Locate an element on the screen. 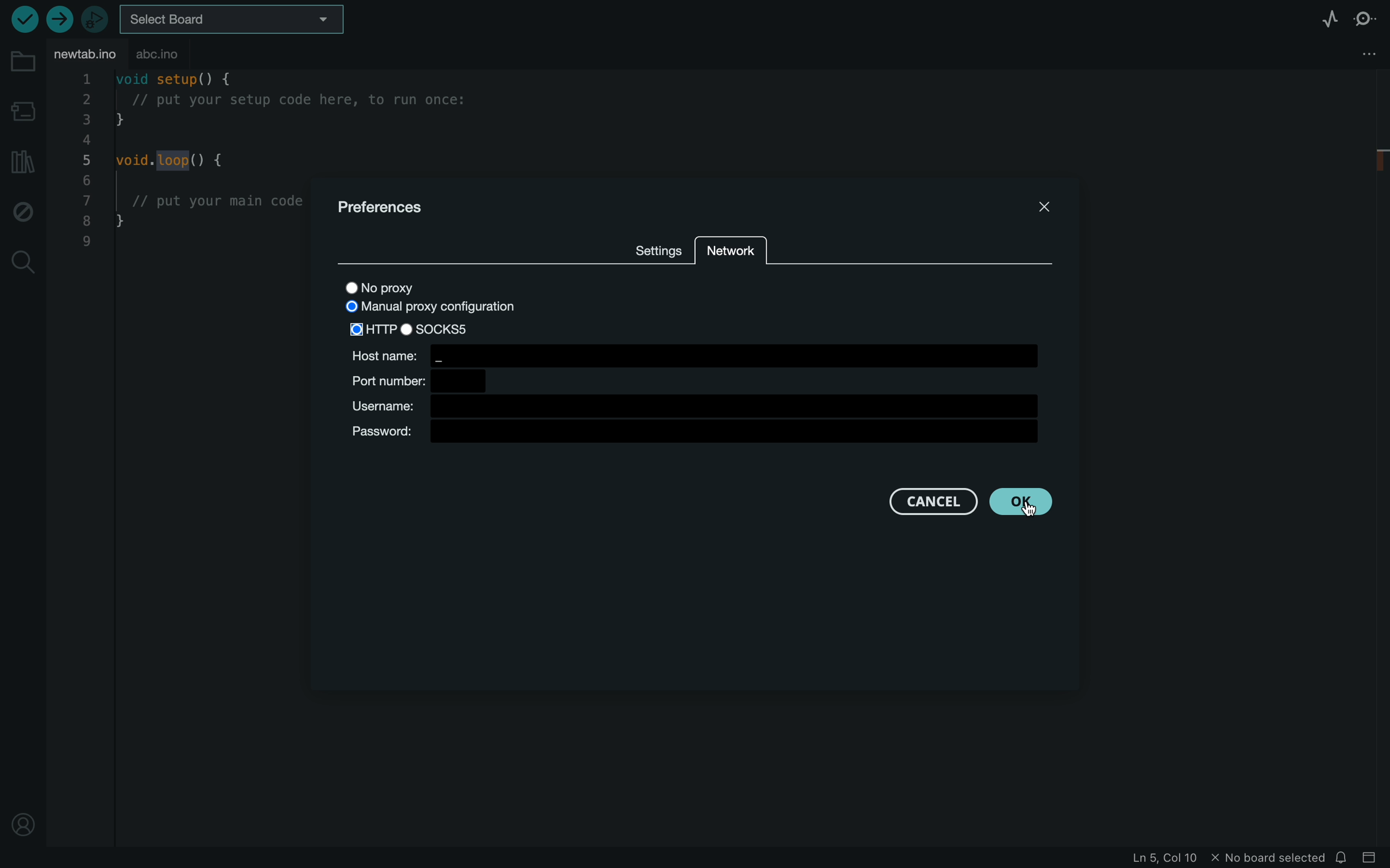 The height and width of the screenshot is (868, 1390). serial plotter is located at coordinates (1310, 18).